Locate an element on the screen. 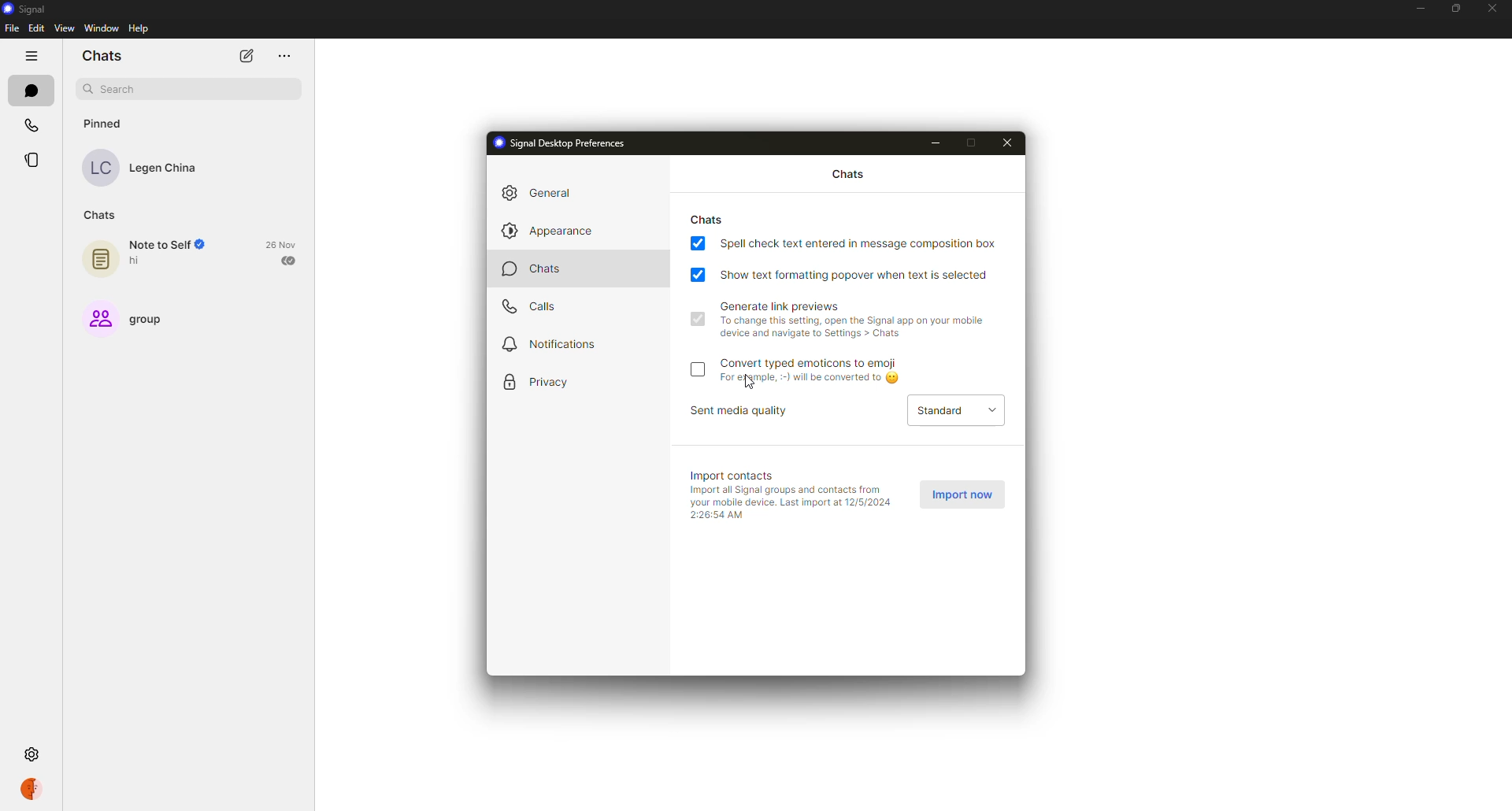 This screenshot has height=811, width=1512. close is located at coordinates (1493, 9).